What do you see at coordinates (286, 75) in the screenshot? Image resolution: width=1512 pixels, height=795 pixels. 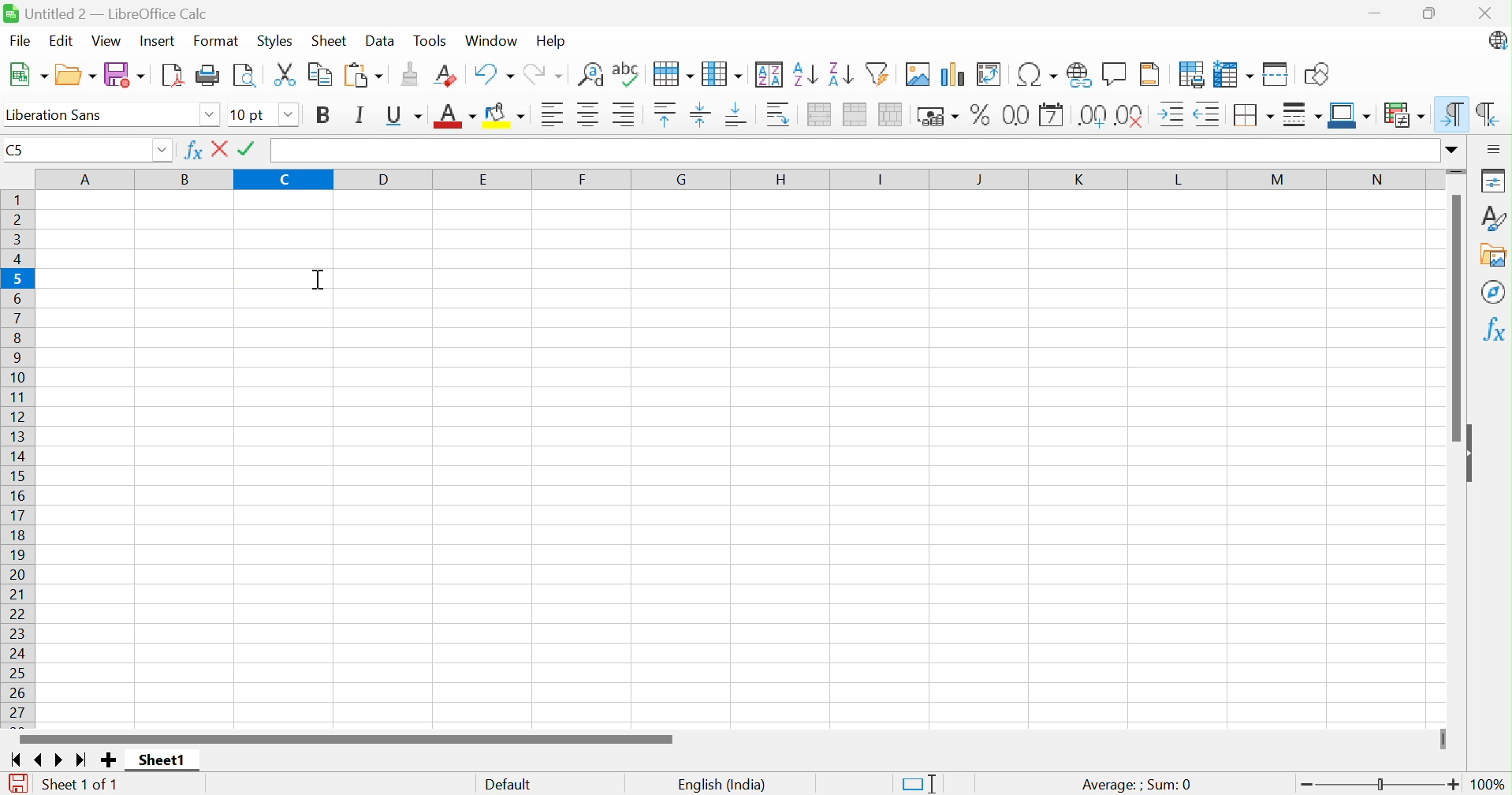 I see `Cut` at bounding box center [286, 75].